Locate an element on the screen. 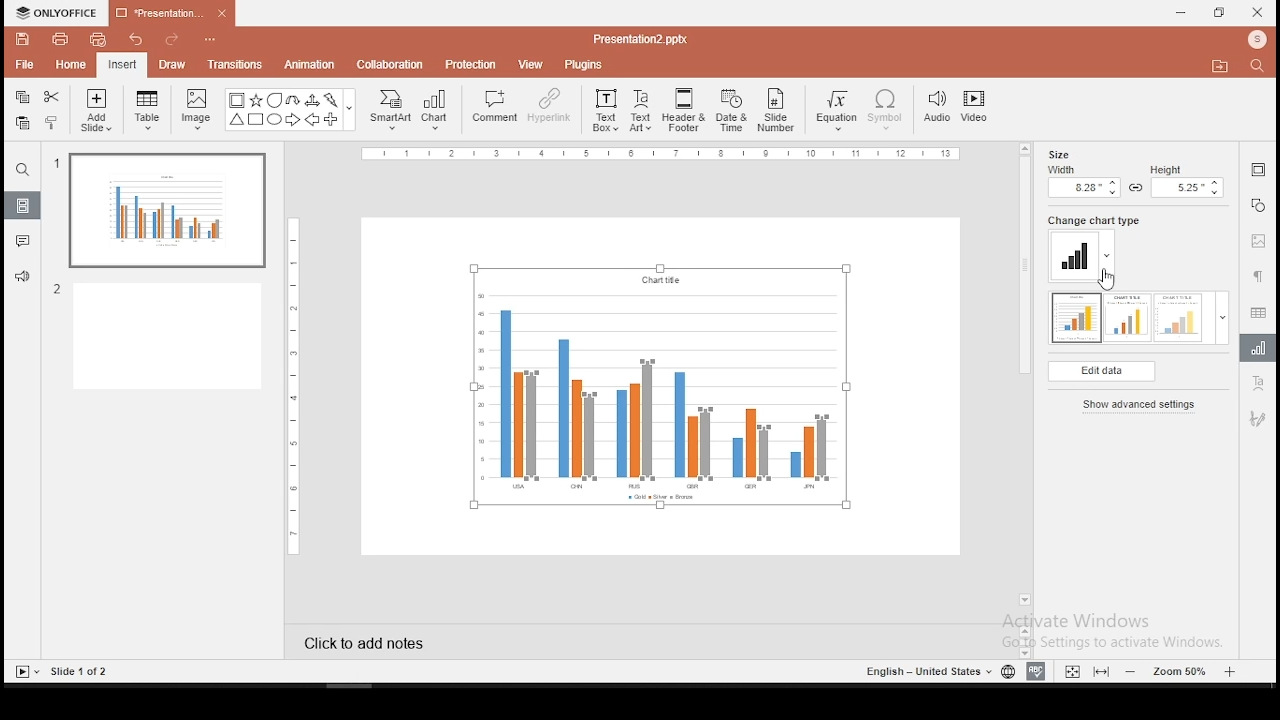 This screenshot has width=1280, height=720. click to add notes is located at coordinates (366, 642).